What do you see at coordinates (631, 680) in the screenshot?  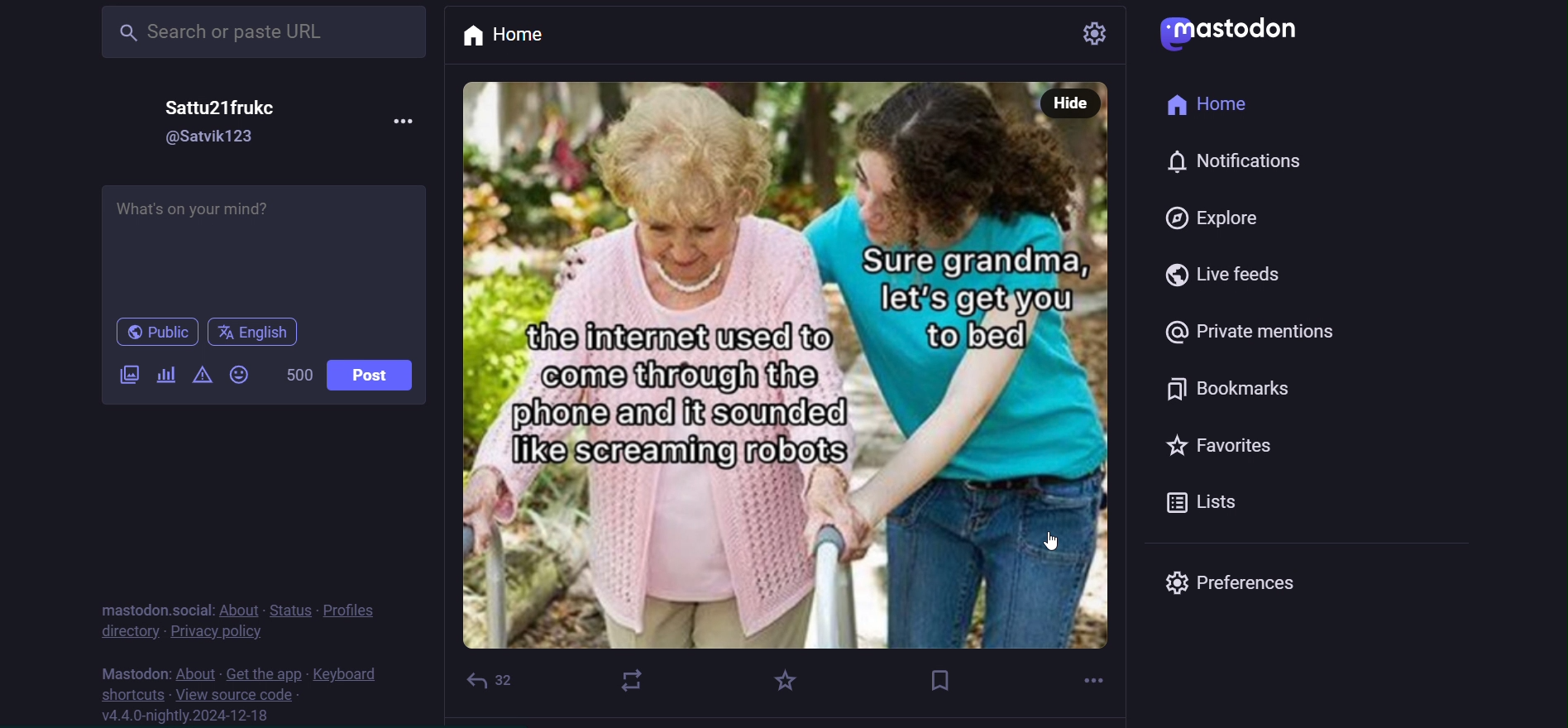 I see `boost` at bounding box center [631, 680].